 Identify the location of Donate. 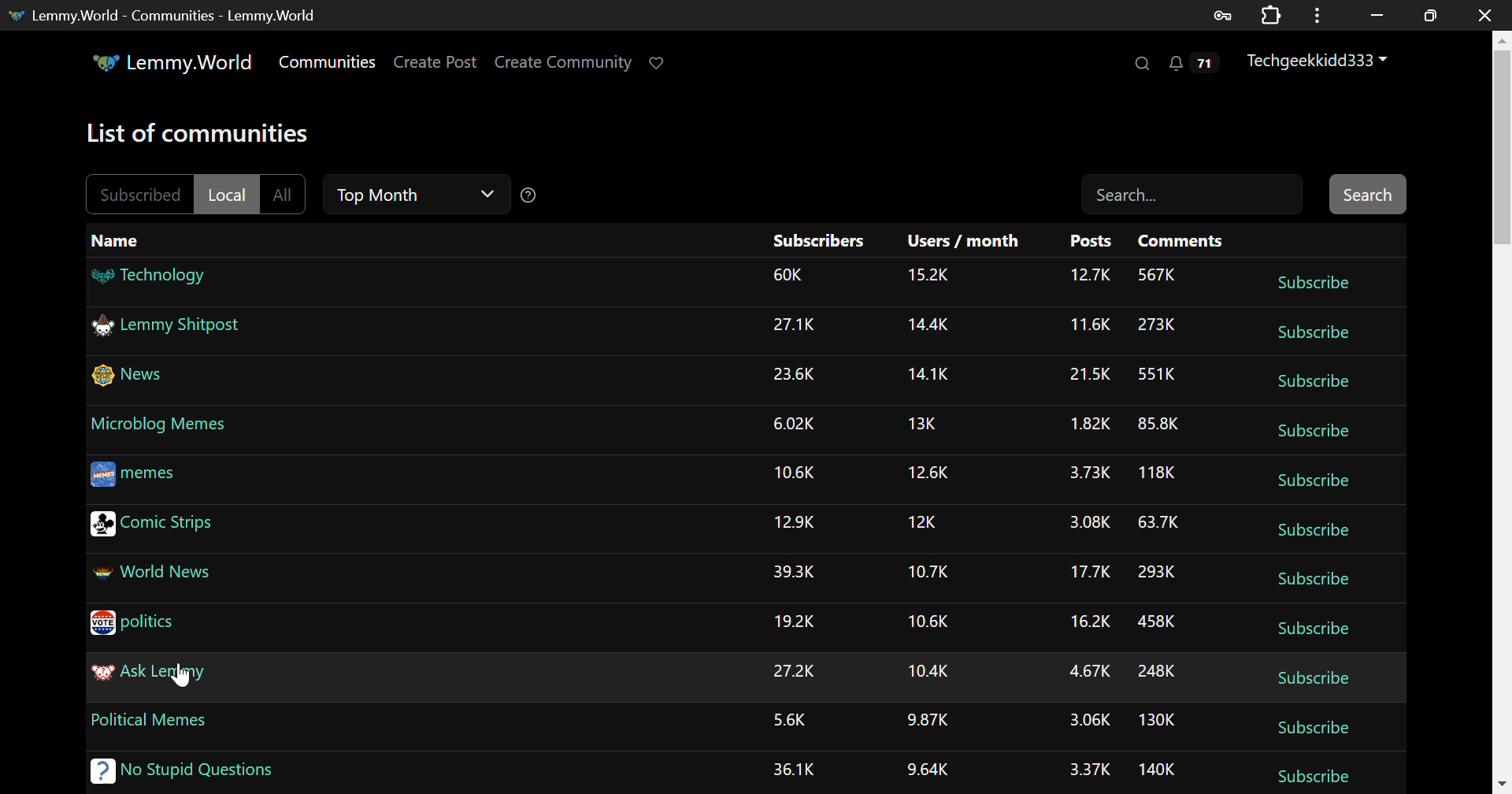
(663, 64).